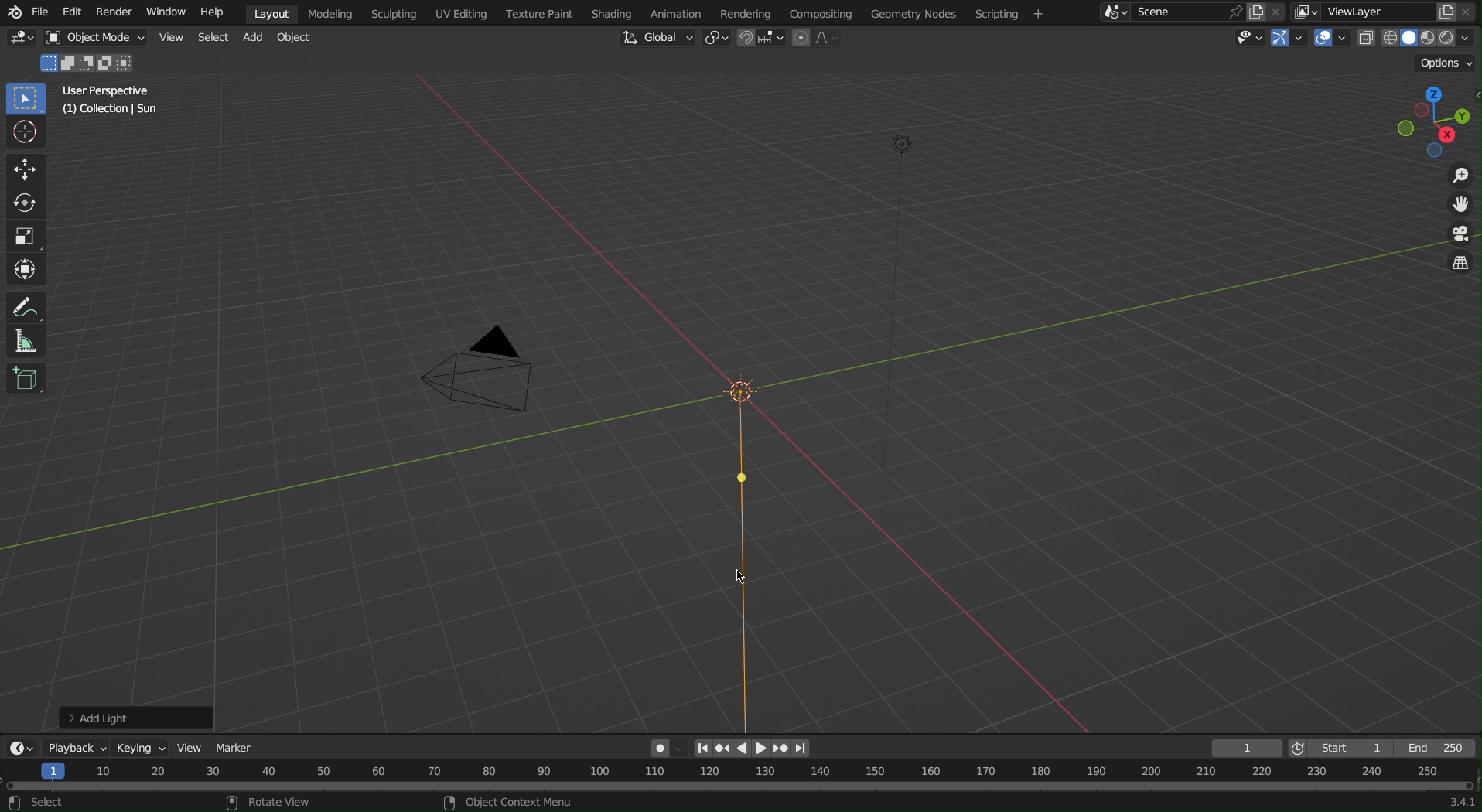 The height and width of the screenshot is (812, 1482). What do you see at coordinates (1438, 120) in the screenshot?
I see `View port` at bounding box center [1438, 120].